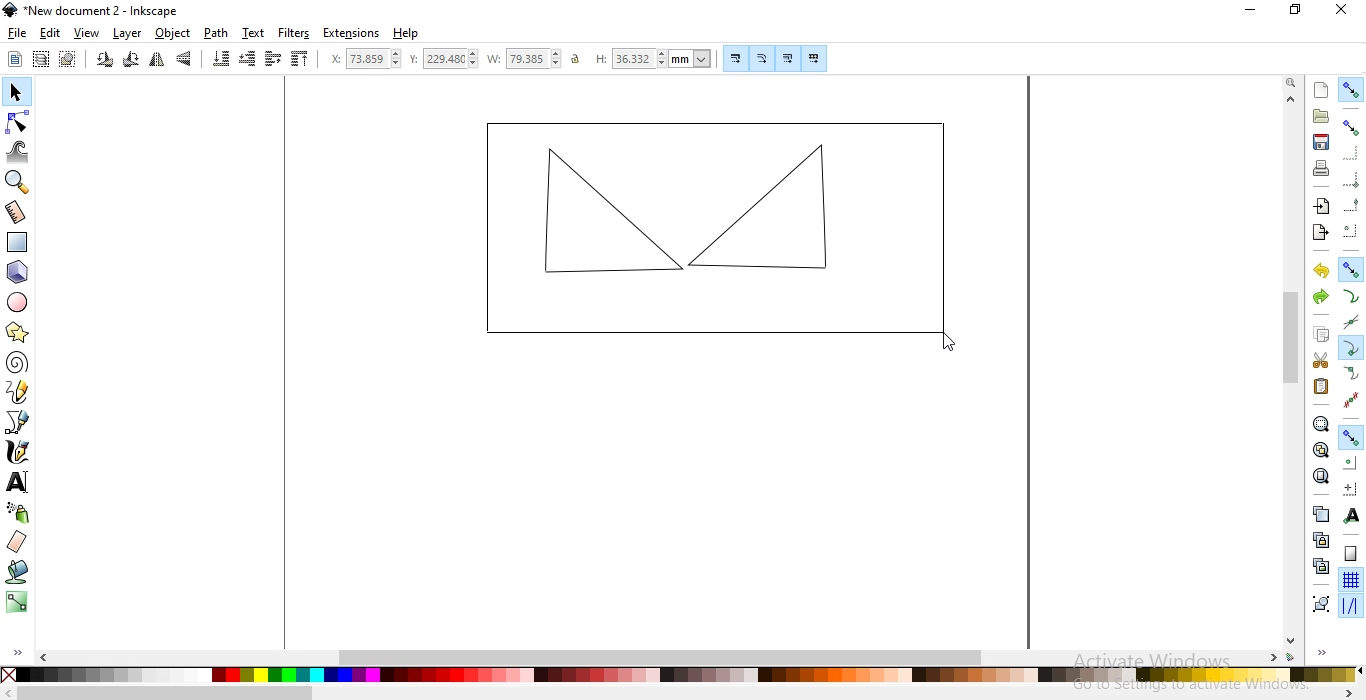 The width and height of the screenshot is (1366, 700). Describe the element at coordinates (579, 60) in the screenshot. I see `unlock` at that location.